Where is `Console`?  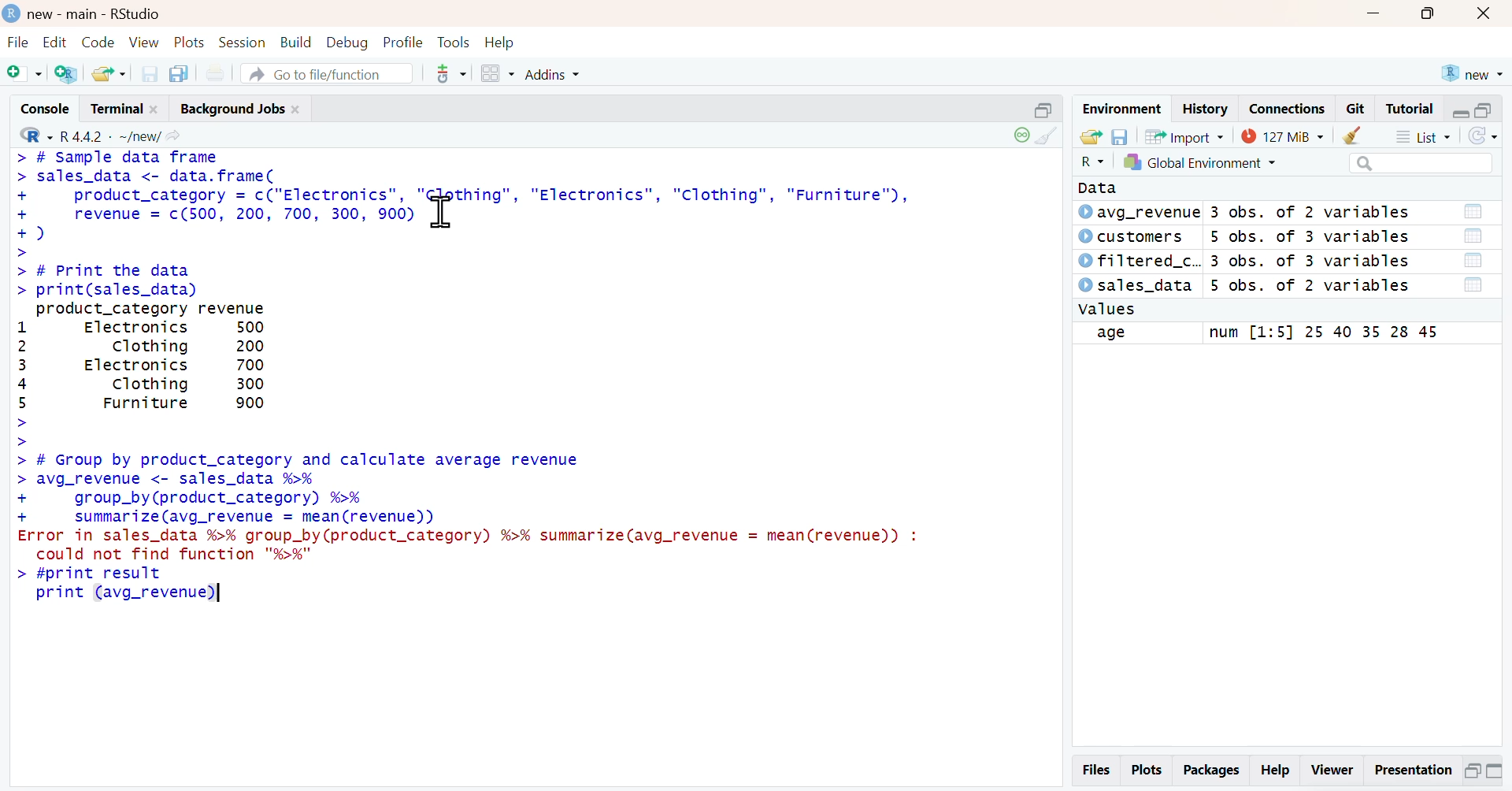
Console is located at coordinates (46, 108).